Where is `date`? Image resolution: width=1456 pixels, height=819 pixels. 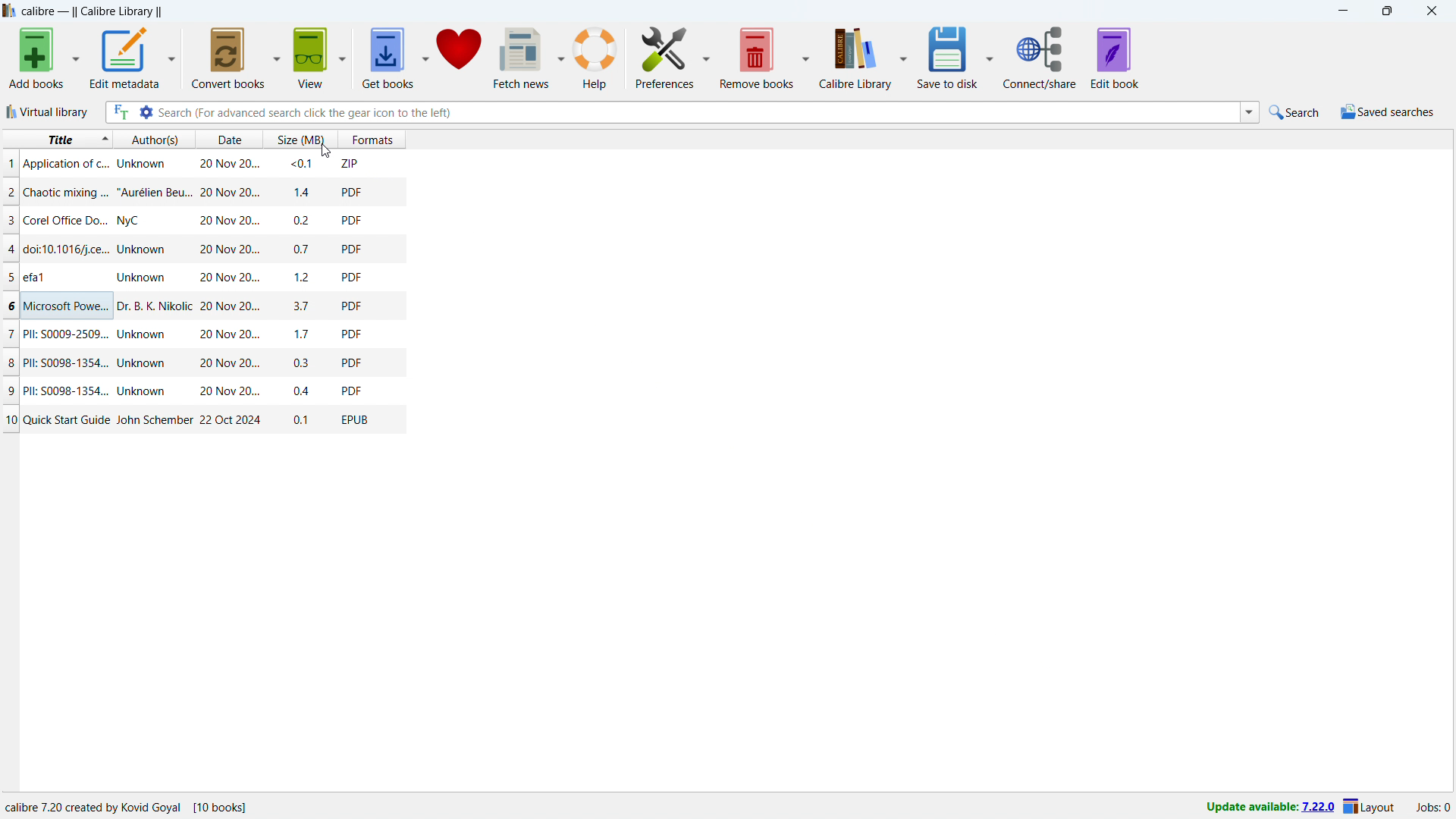
date is located at coordinates (229, 249).